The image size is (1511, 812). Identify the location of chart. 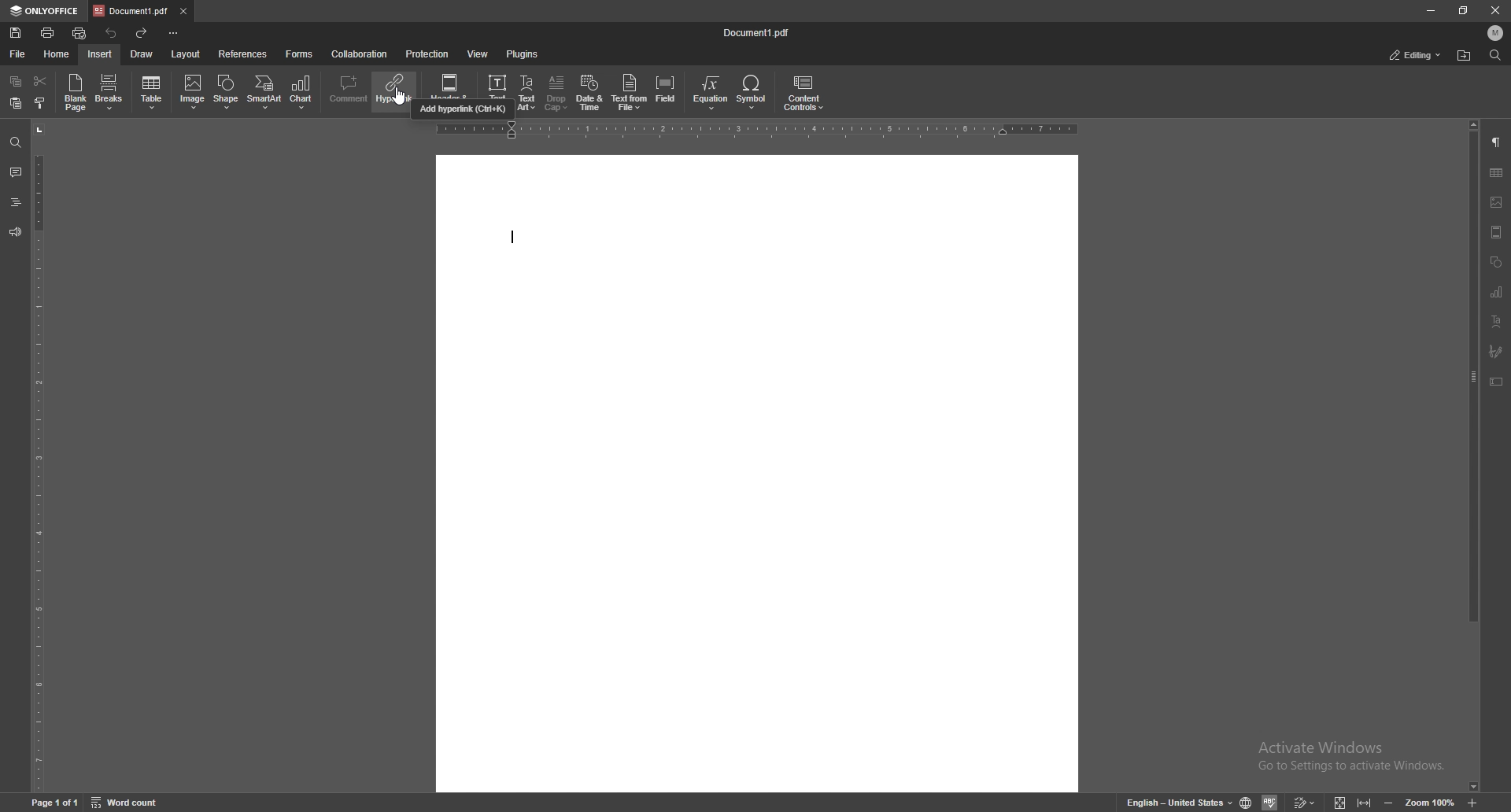
(302, 93).